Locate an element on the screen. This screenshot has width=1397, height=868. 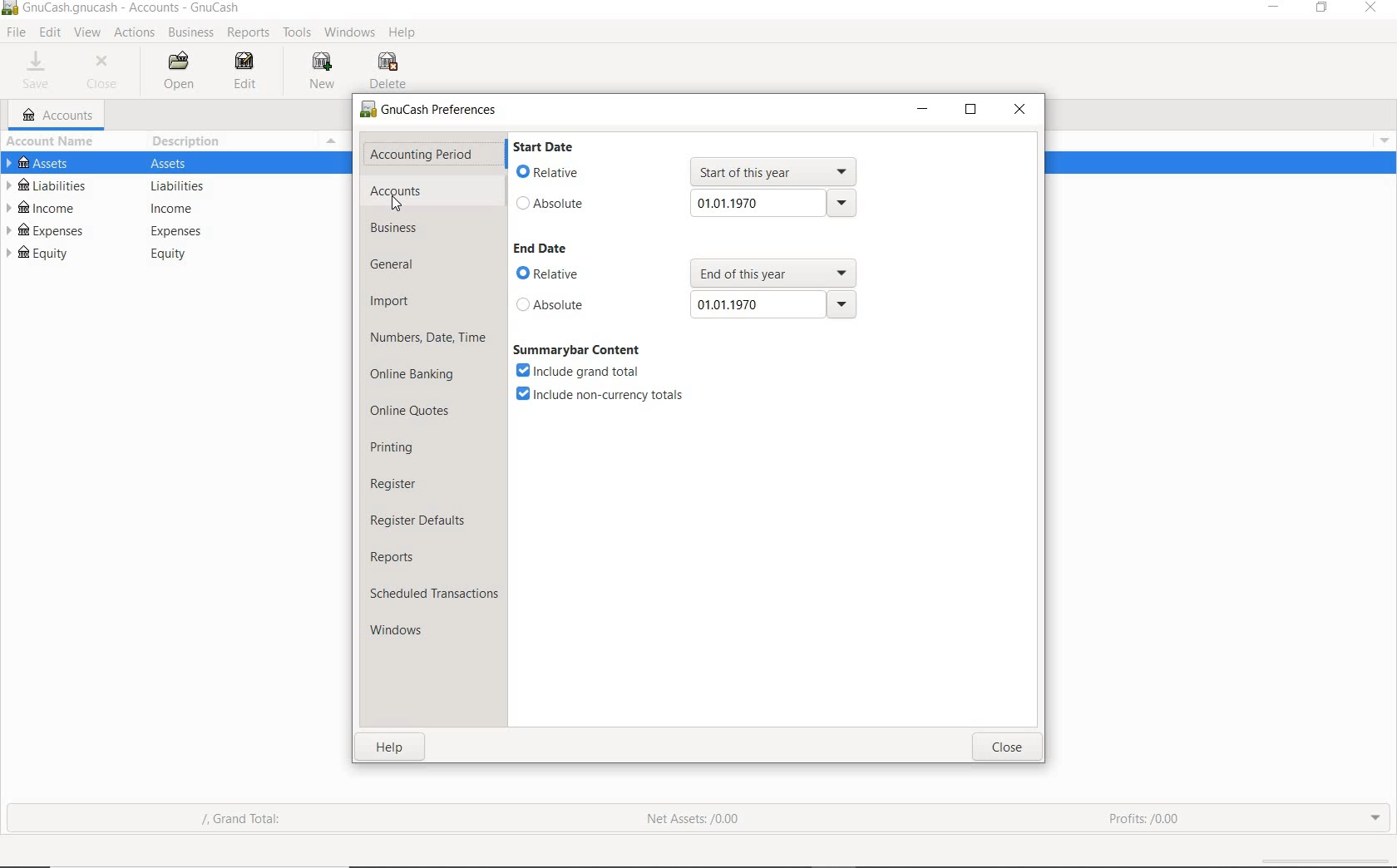
 is located at coordinates (185, 185).